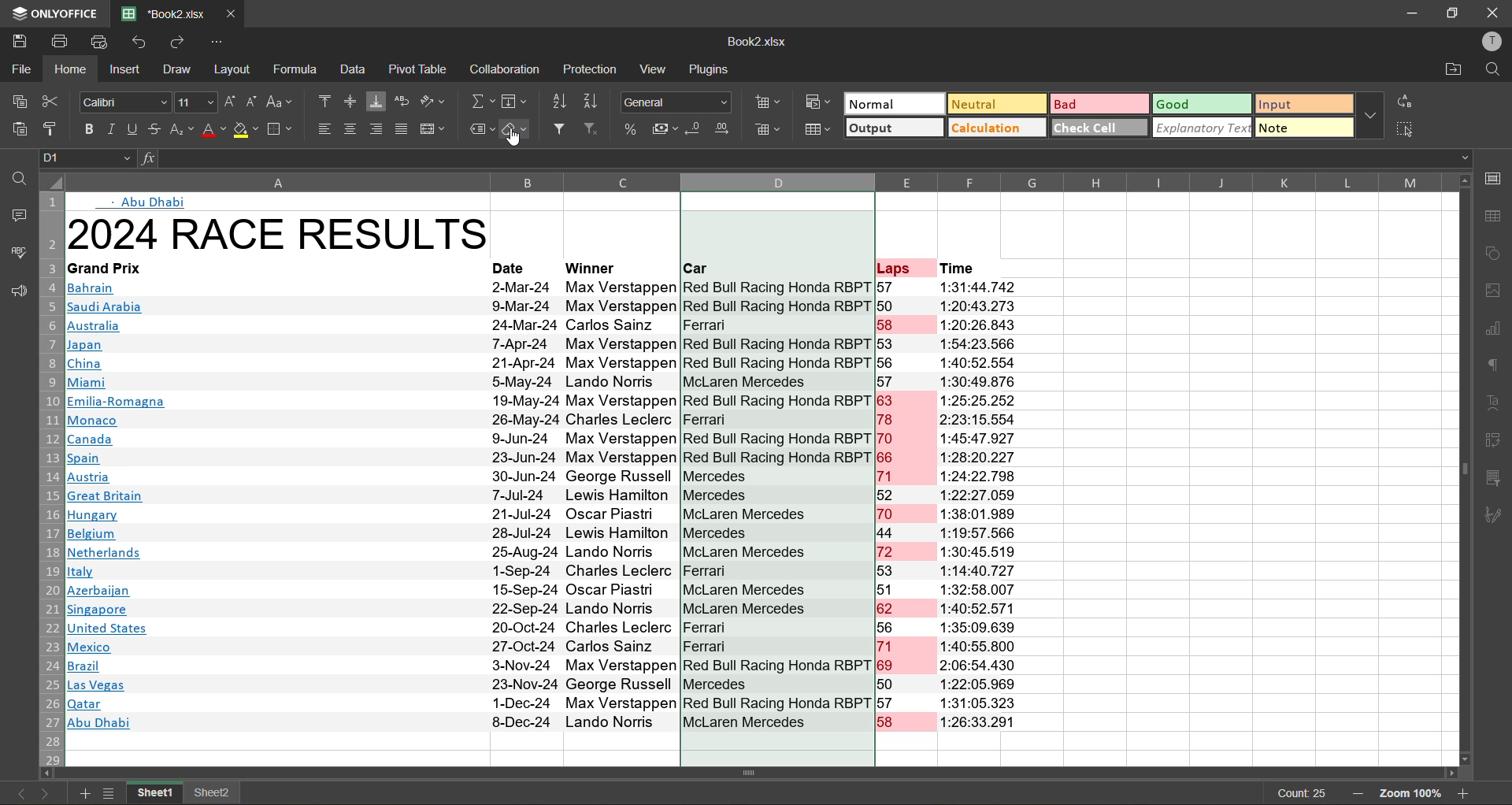 This screenshot has height=805, width=1512. I want to click on print, so click(61, 39).